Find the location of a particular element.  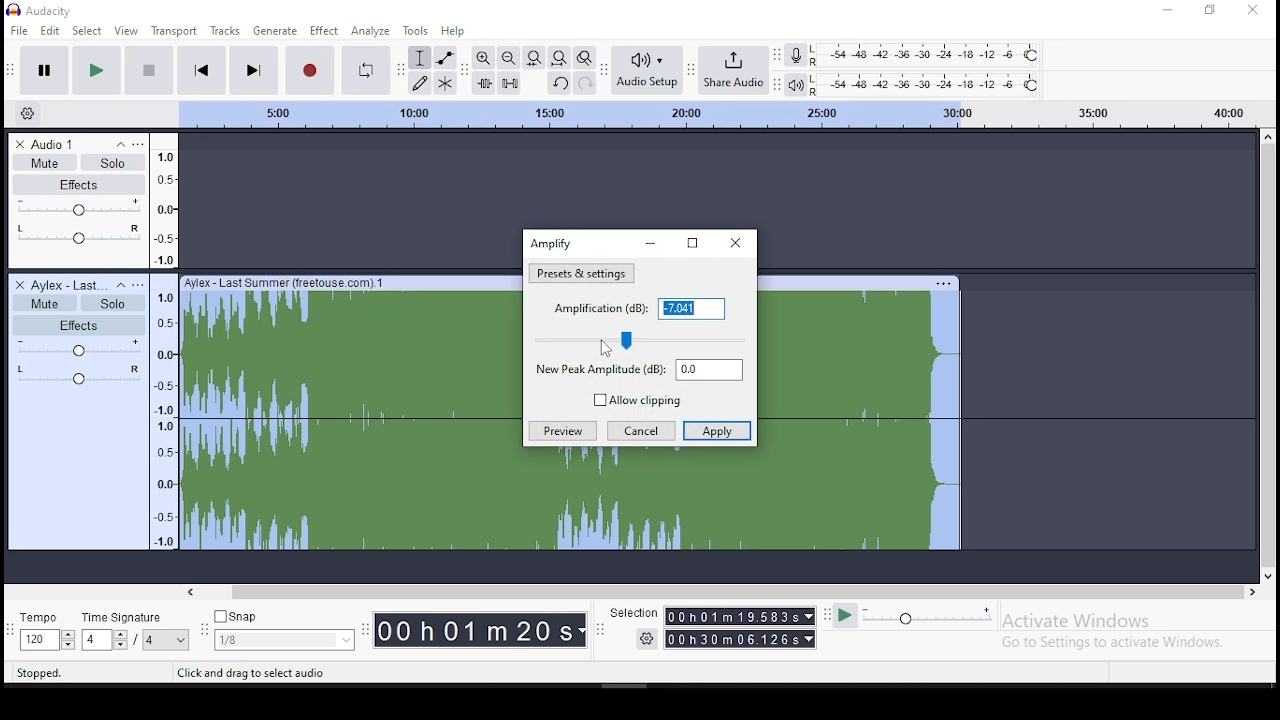

scale is located at coordinates (164, 340).